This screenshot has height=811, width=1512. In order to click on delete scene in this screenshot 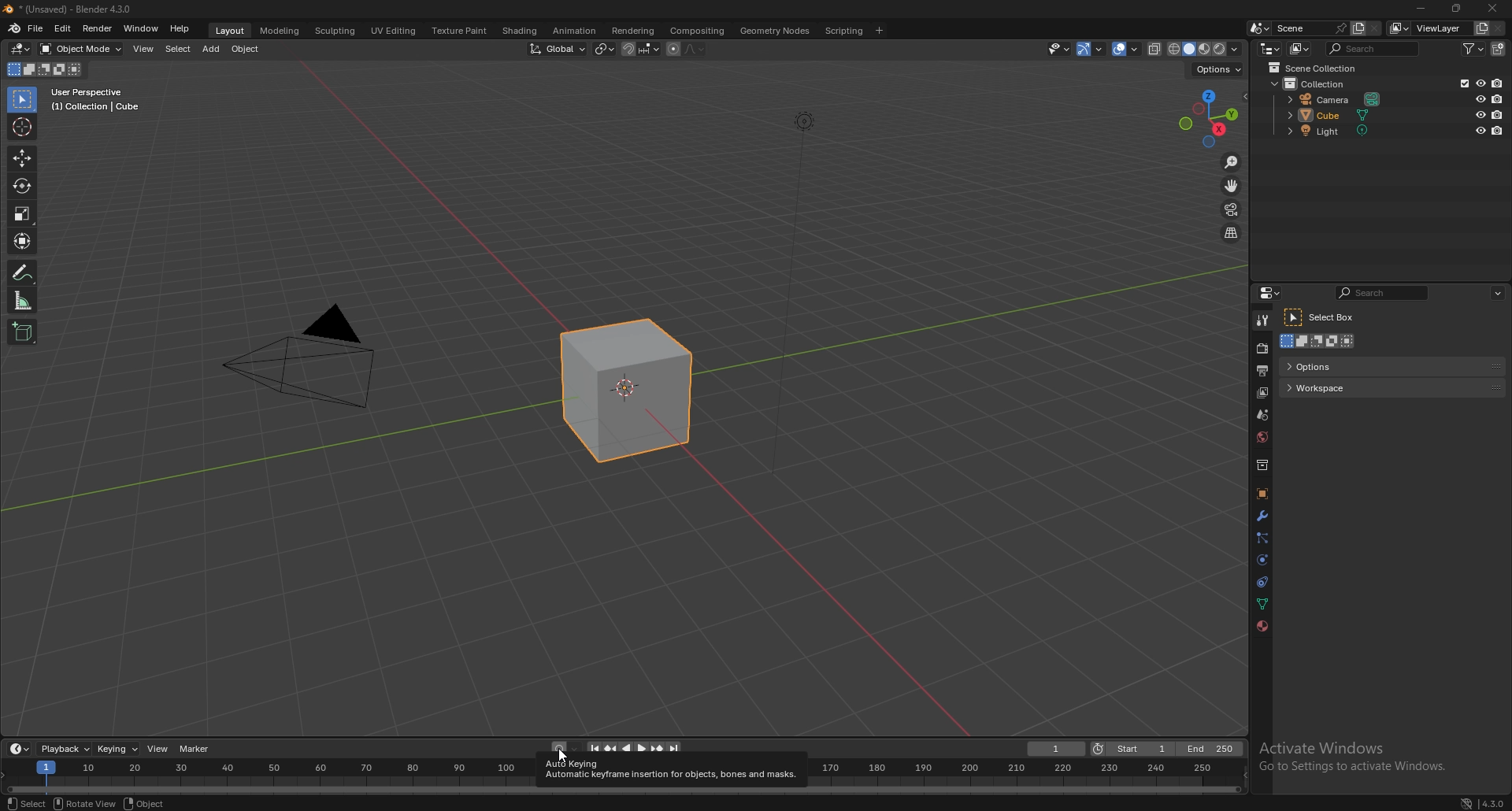, I will do `click(1374, 28)`.